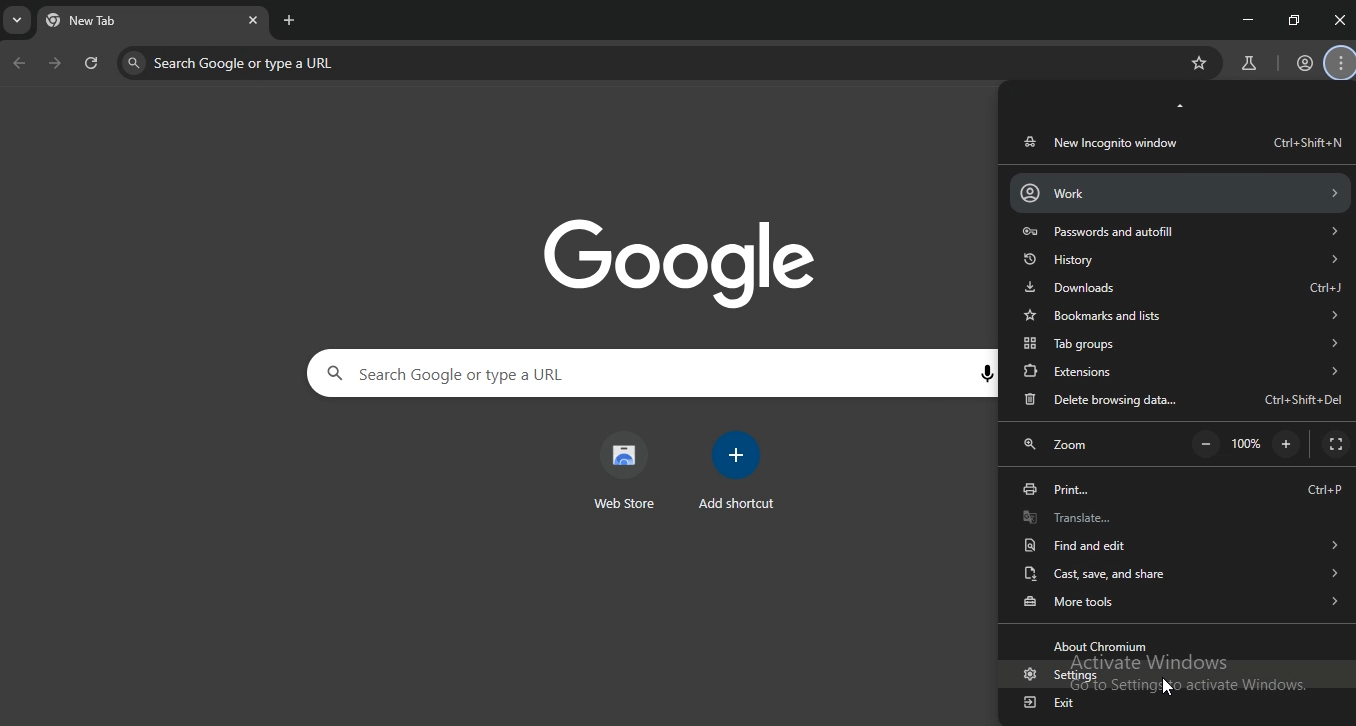 The image size is (1356, 726). Describe the element at coordinates (1182, 370) in the screenshot. I see `extensions` at that location.